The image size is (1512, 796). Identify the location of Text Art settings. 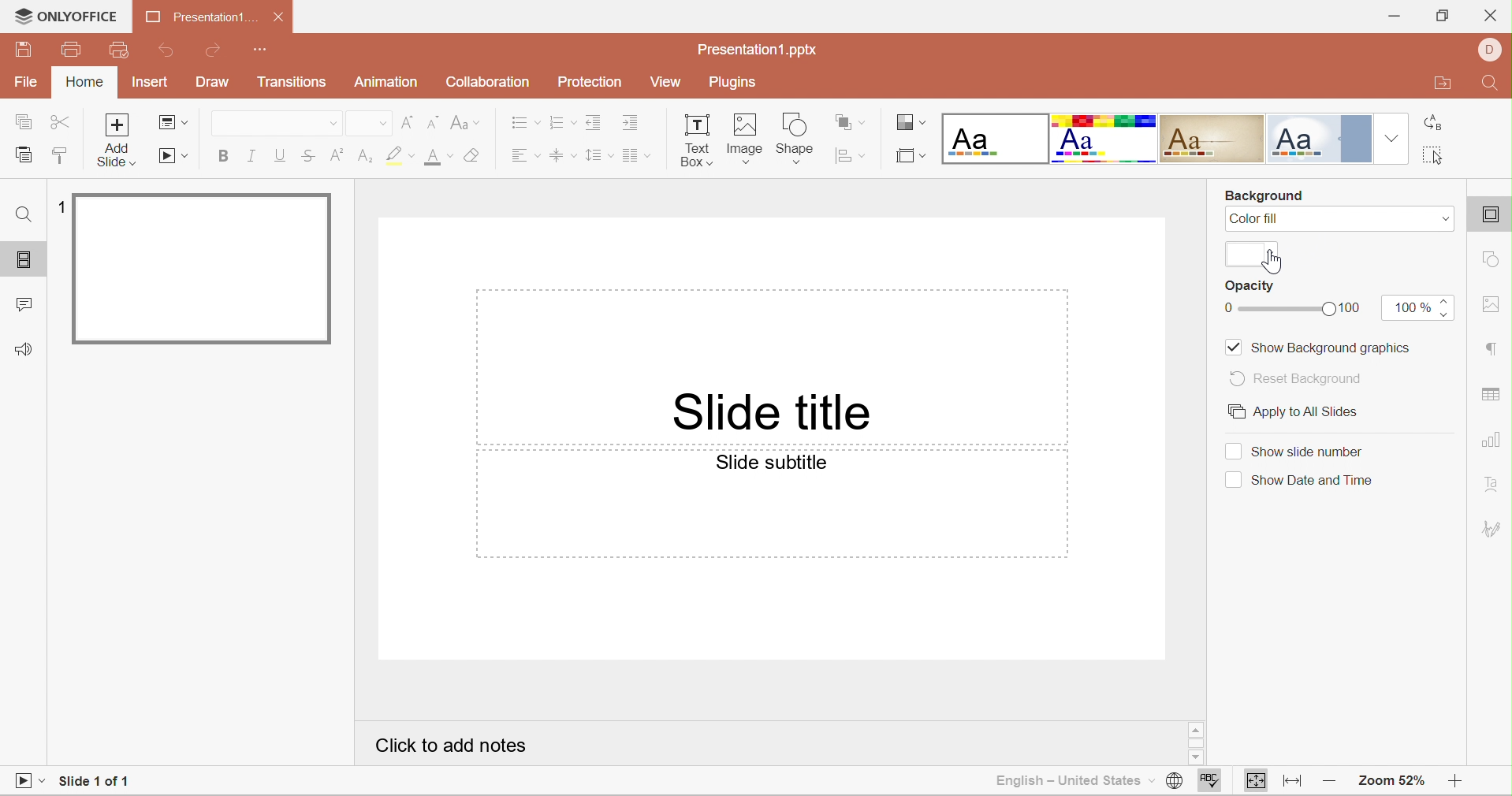
(1495, 485).